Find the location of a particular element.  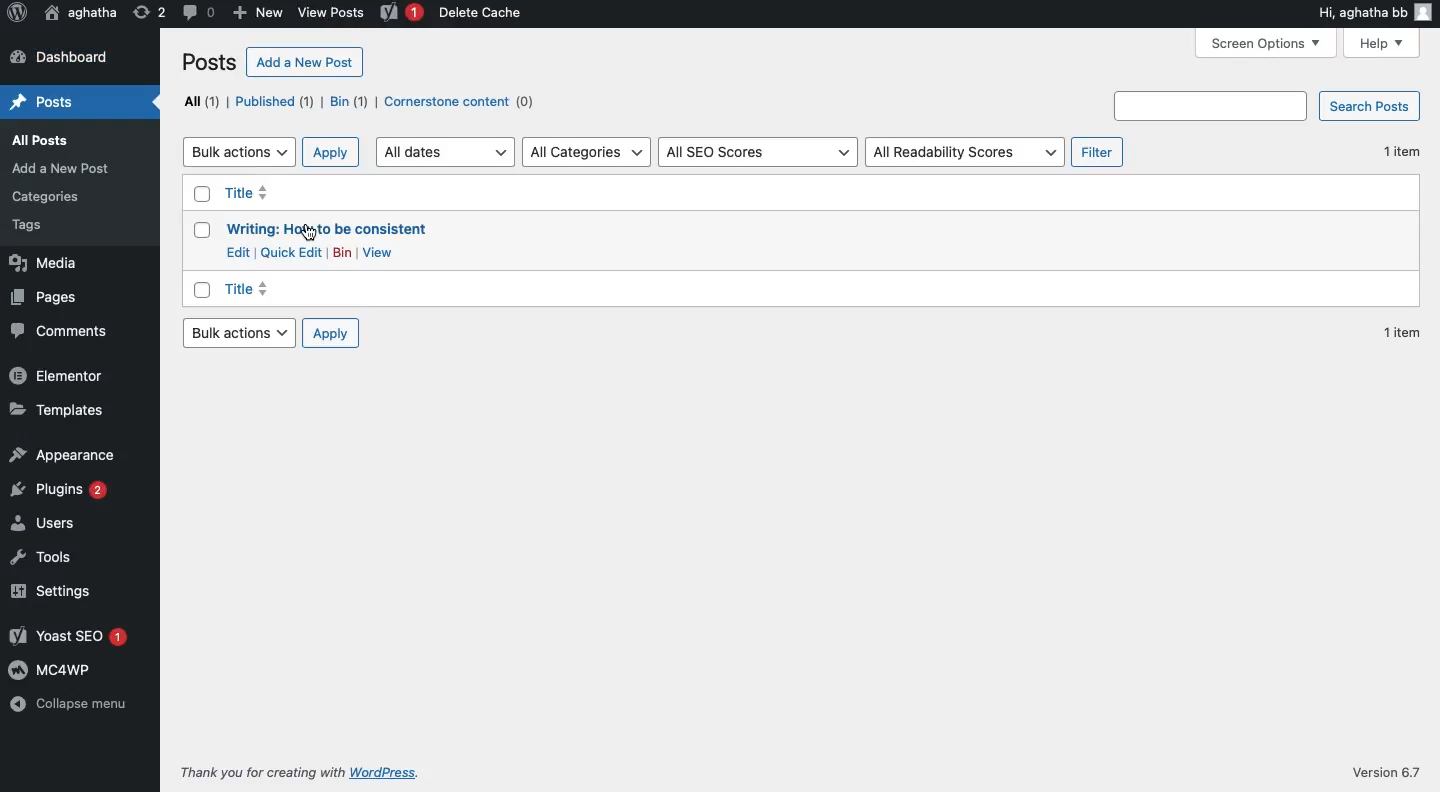

Checkbox is located at coordinates (203, 195).